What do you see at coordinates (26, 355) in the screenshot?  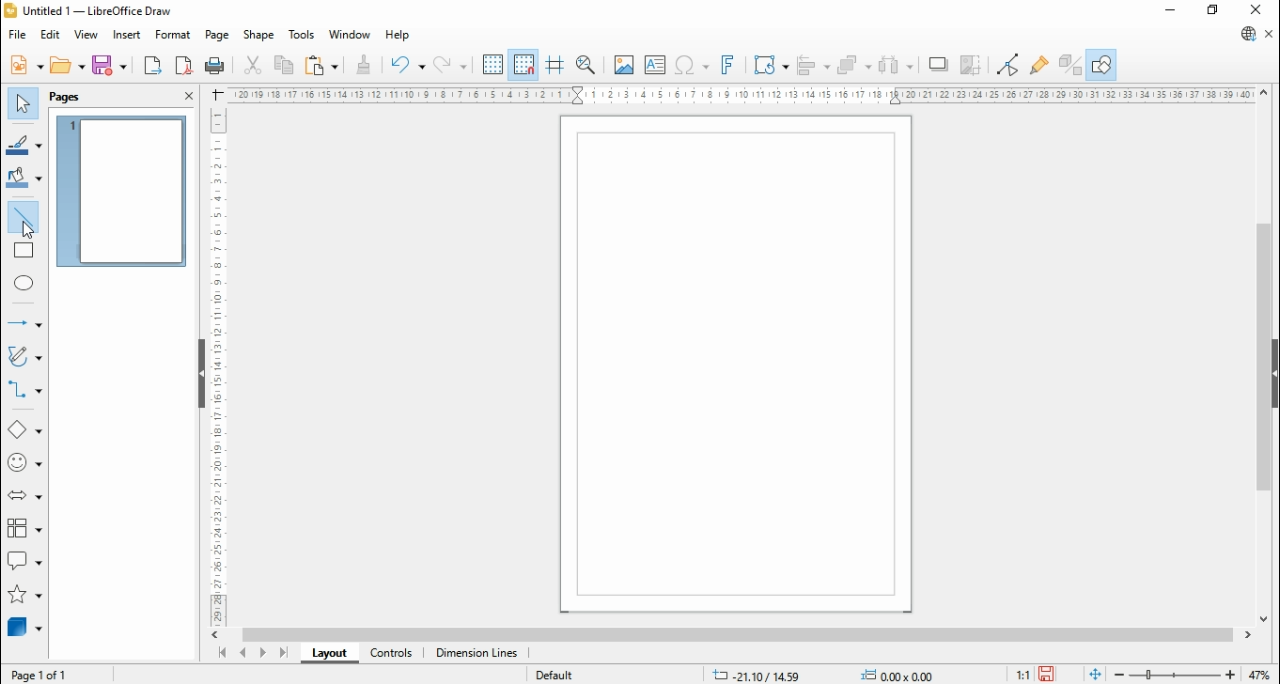 I see `curves and polygons` at bounding box center [26, 355].